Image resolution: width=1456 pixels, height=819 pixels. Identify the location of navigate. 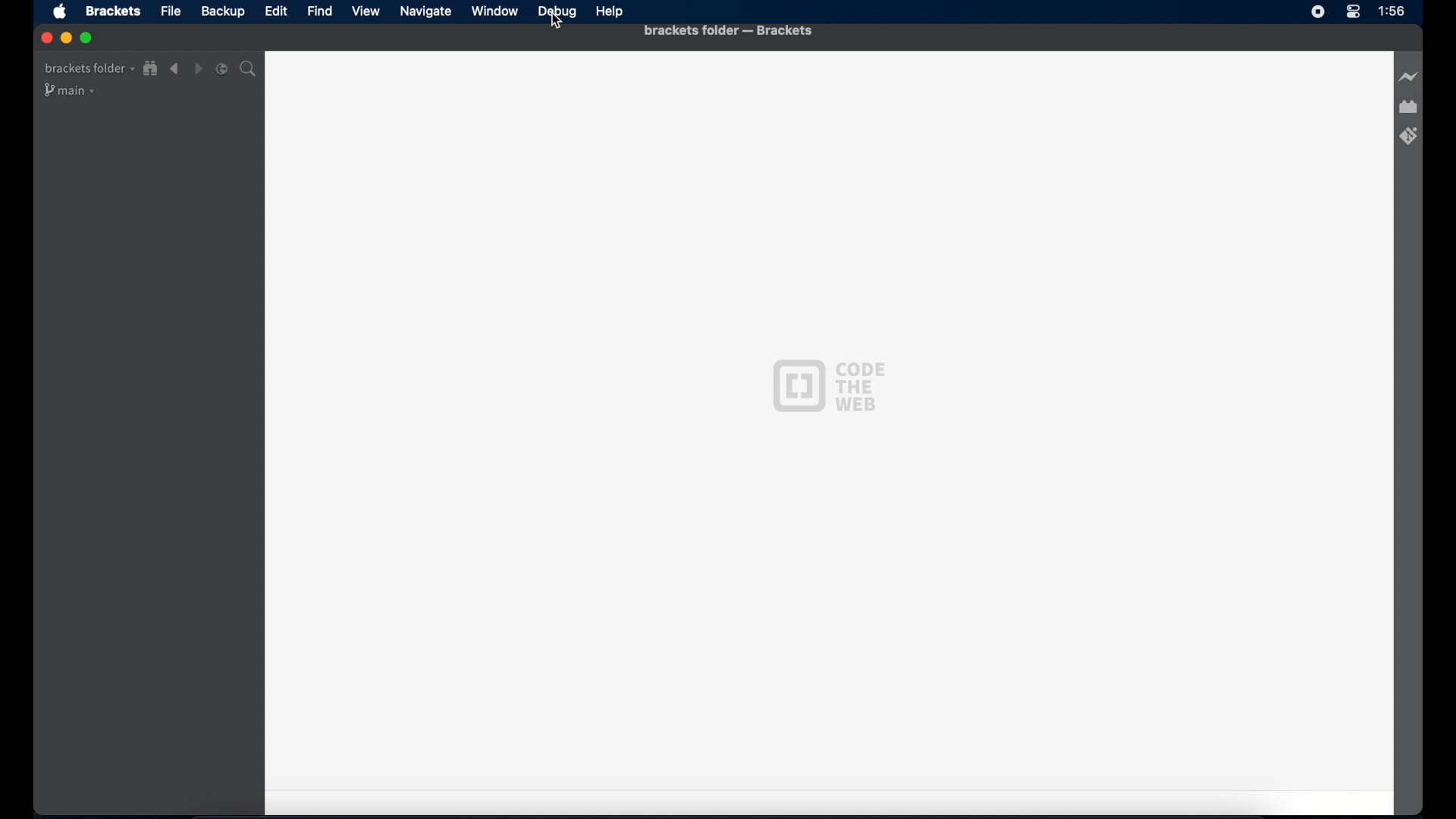
(425, 11).